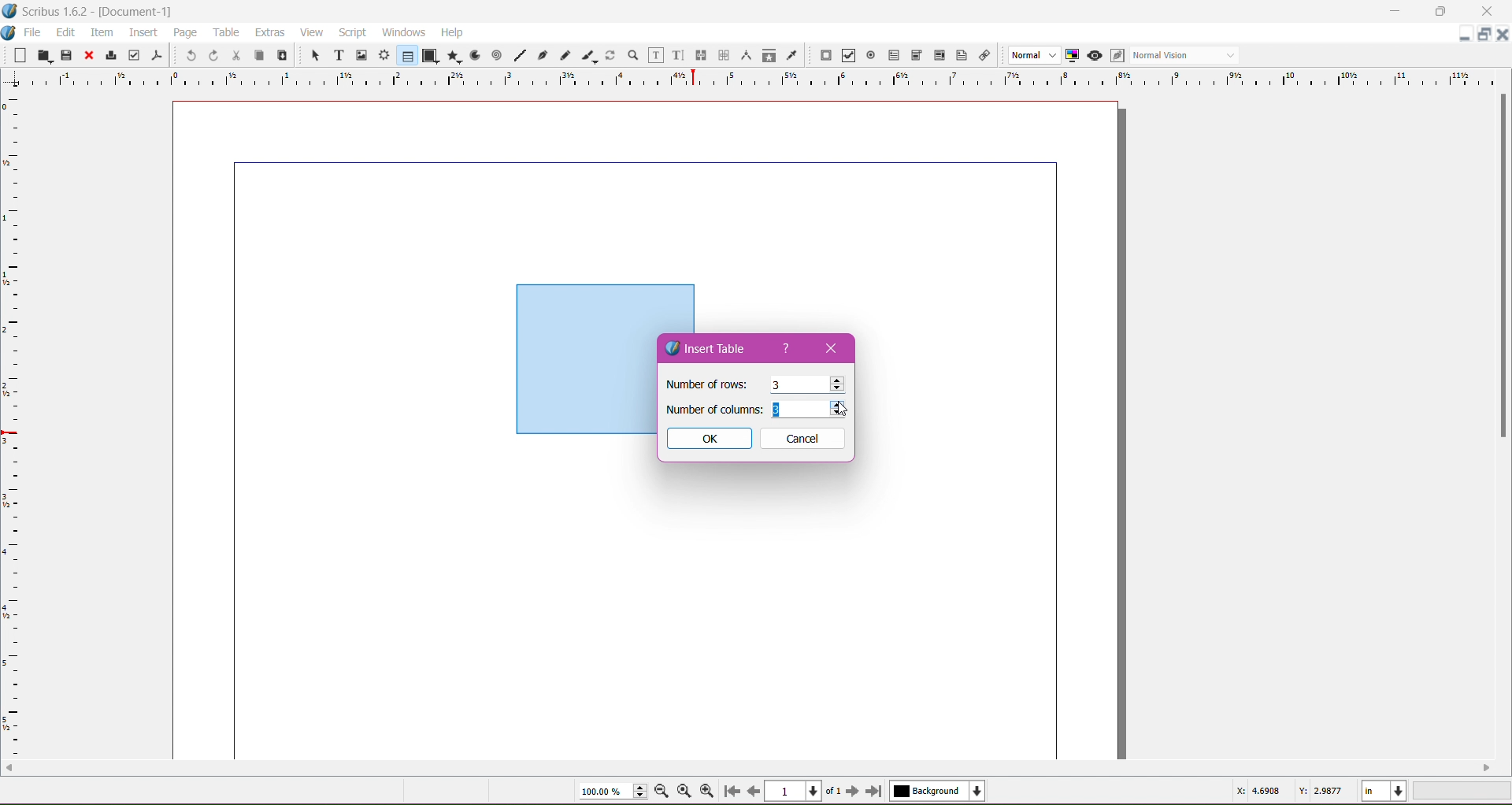  I want to click on Grid, so click(20, 426).